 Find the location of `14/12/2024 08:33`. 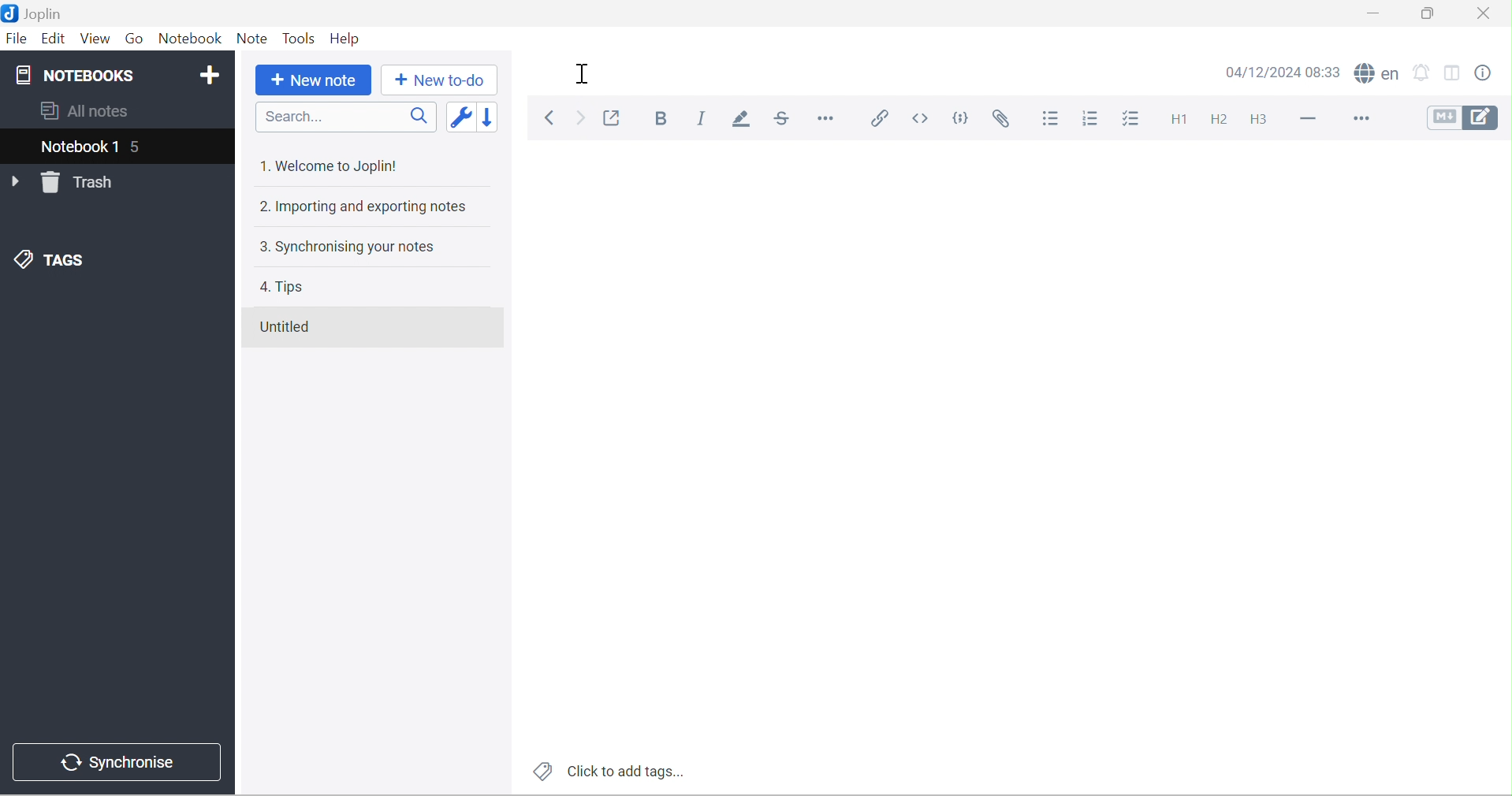

14/12/2024 08:33 is located at coordinates (1282, 73).